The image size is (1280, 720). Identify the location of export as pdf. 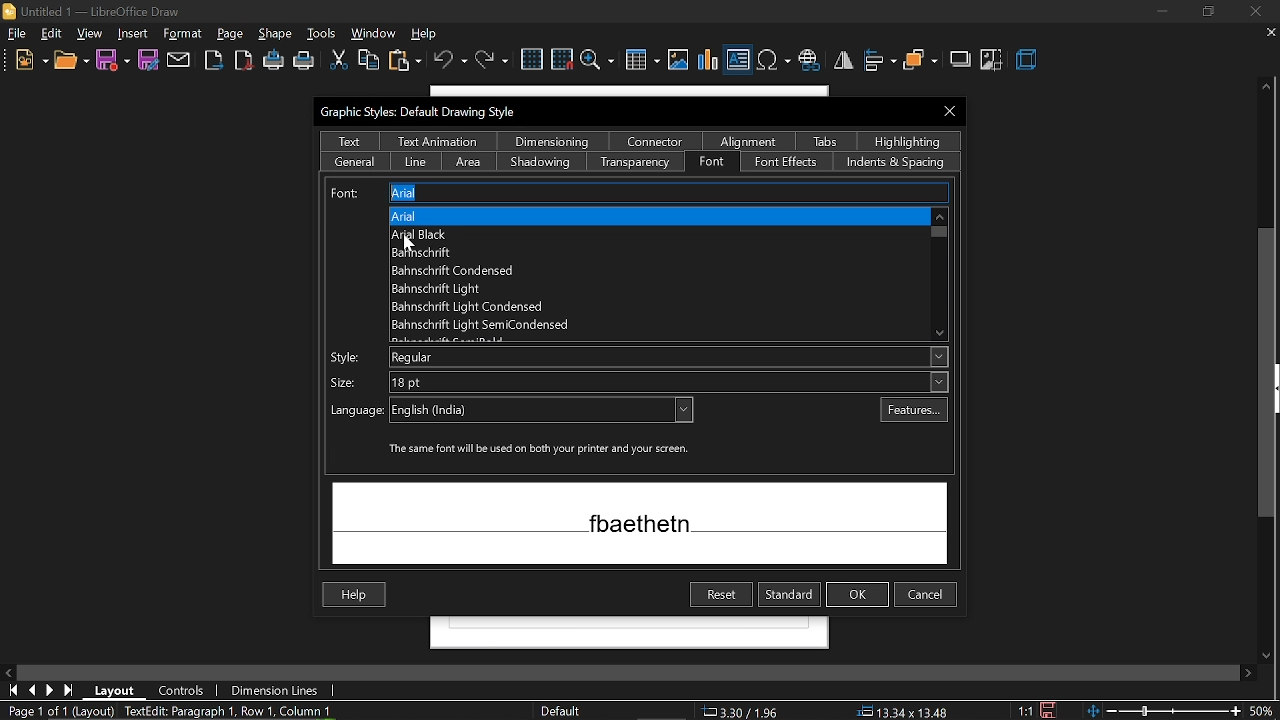
(243, 60).